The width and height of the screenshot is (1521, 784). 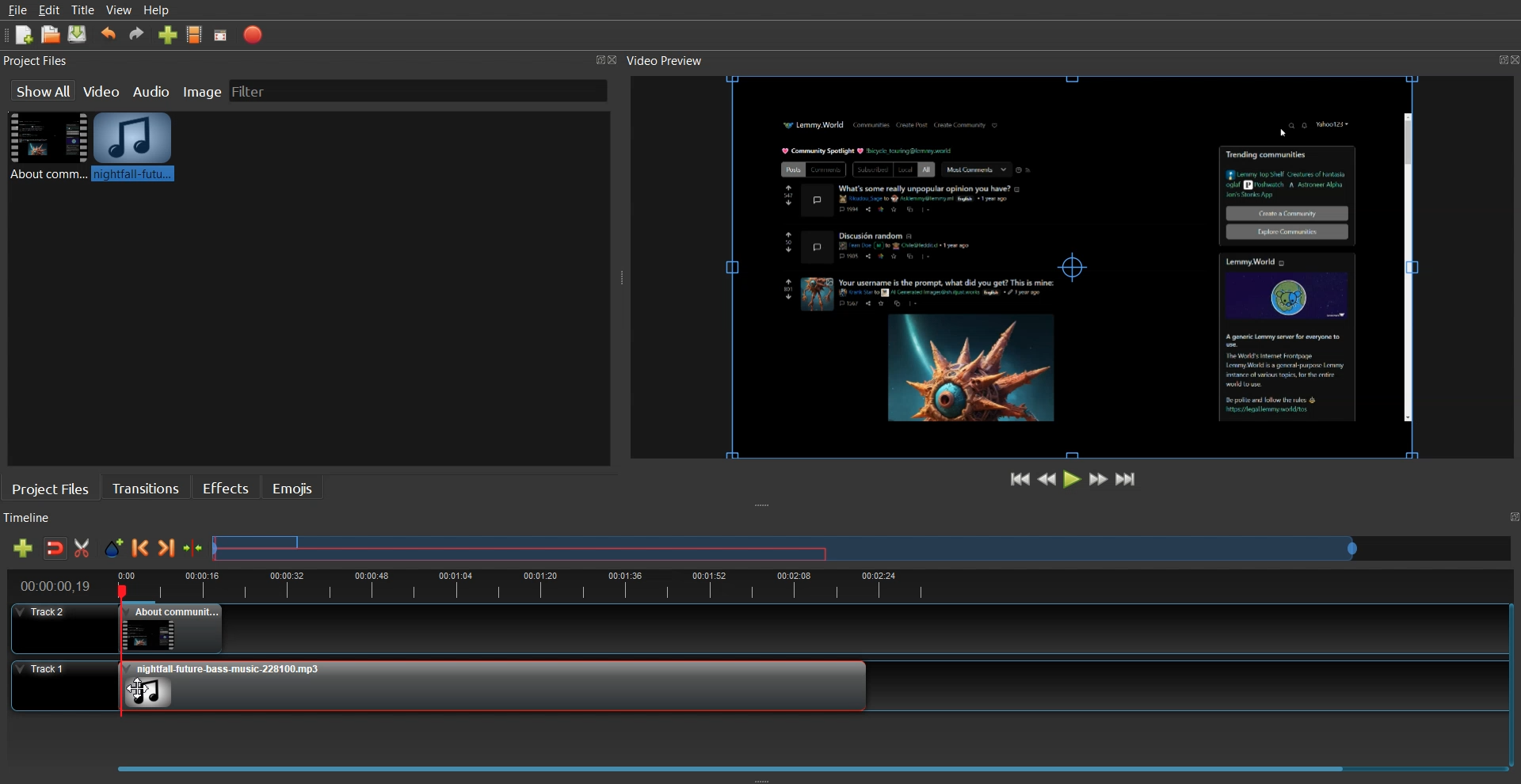 What do you see at coordinates (83, 548) in the screenshot?
I see `Razor Track` at bounding box center [83, 548].